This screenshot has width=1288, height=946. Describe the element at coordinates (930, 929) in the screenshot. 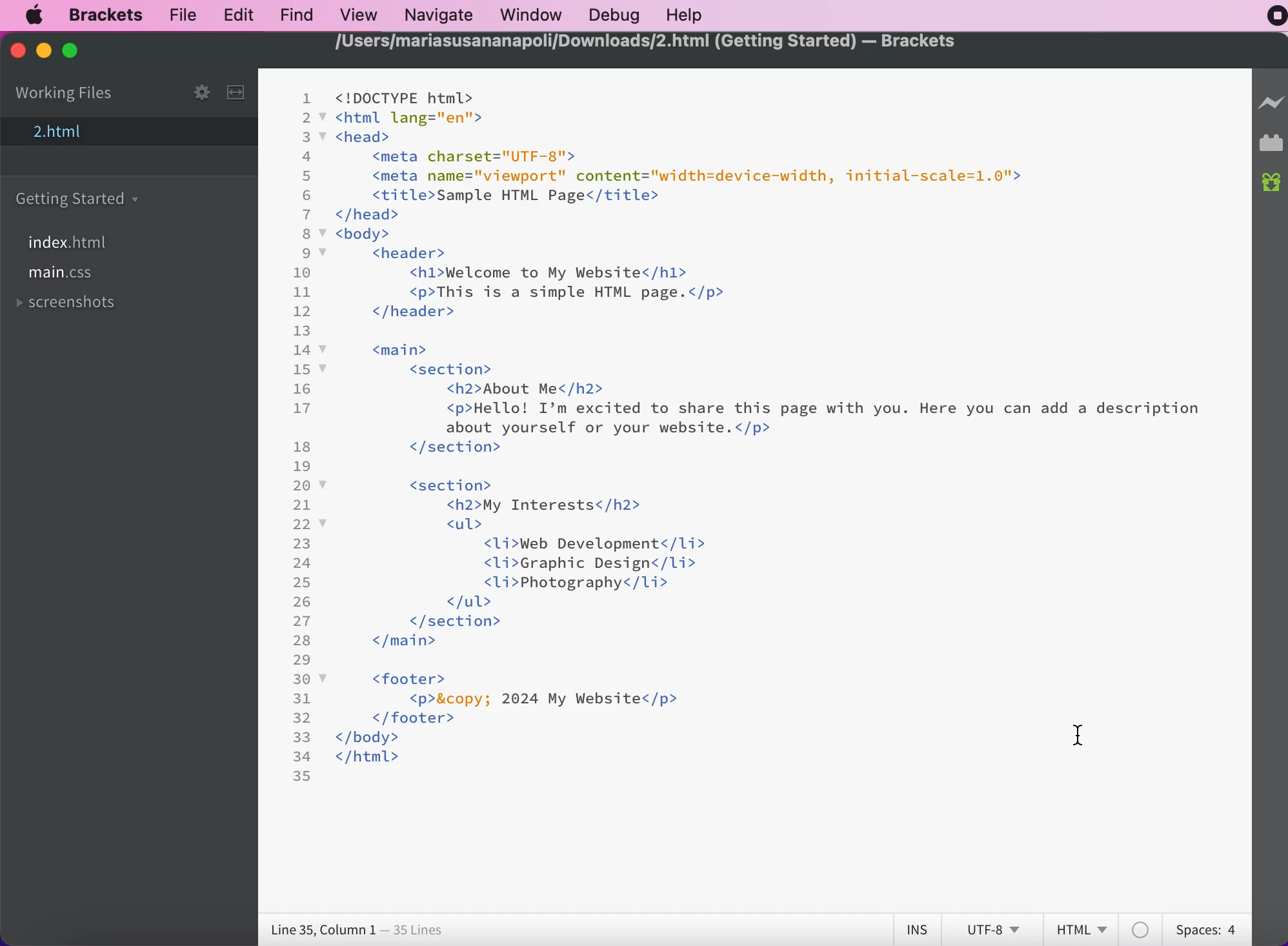

I see `ins` at that location.